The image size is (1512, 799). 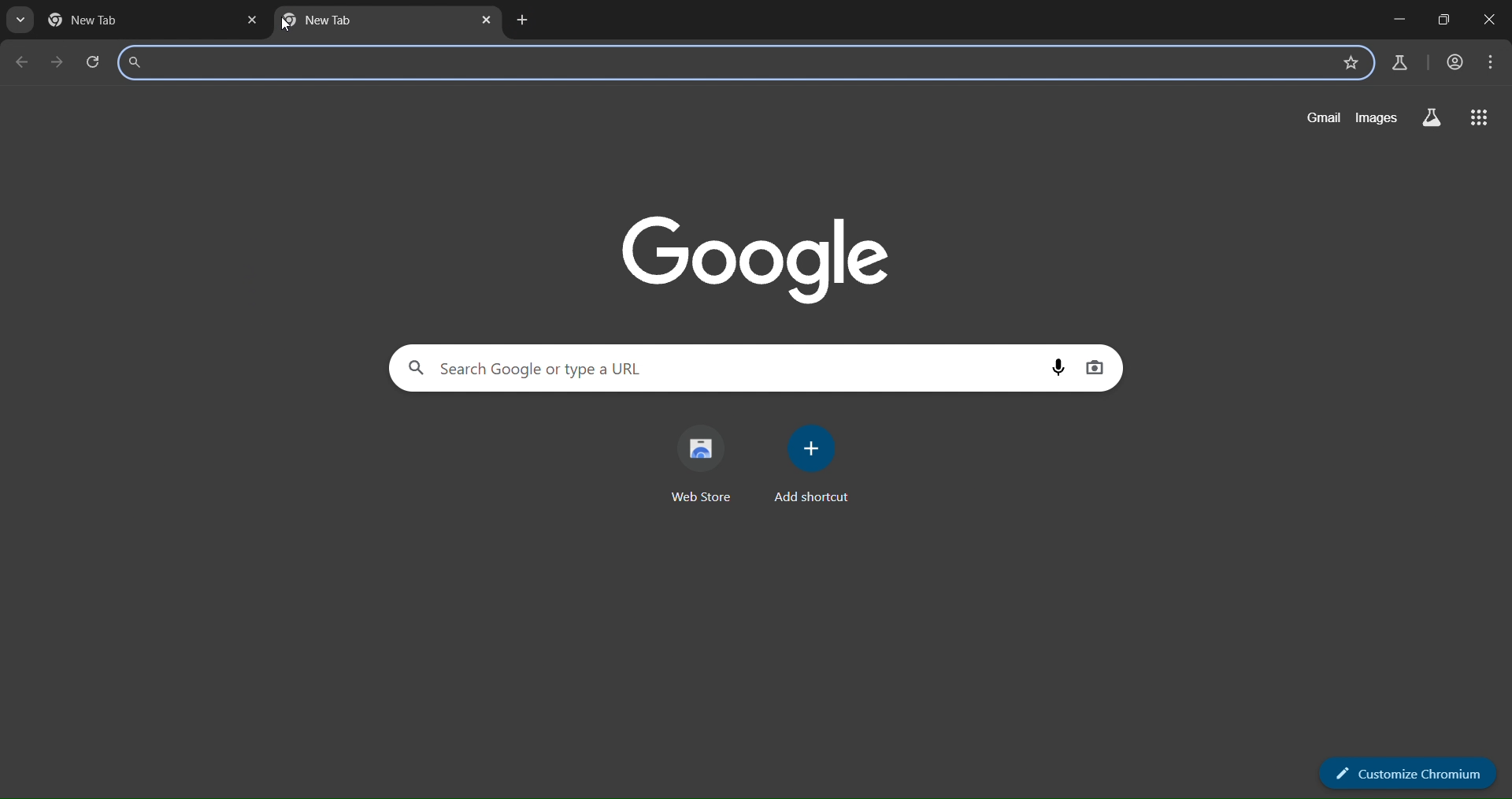 What do you see at coordinates (249, 20) in the screenshot?
I see `close tab` at bounding box center [249, 20].